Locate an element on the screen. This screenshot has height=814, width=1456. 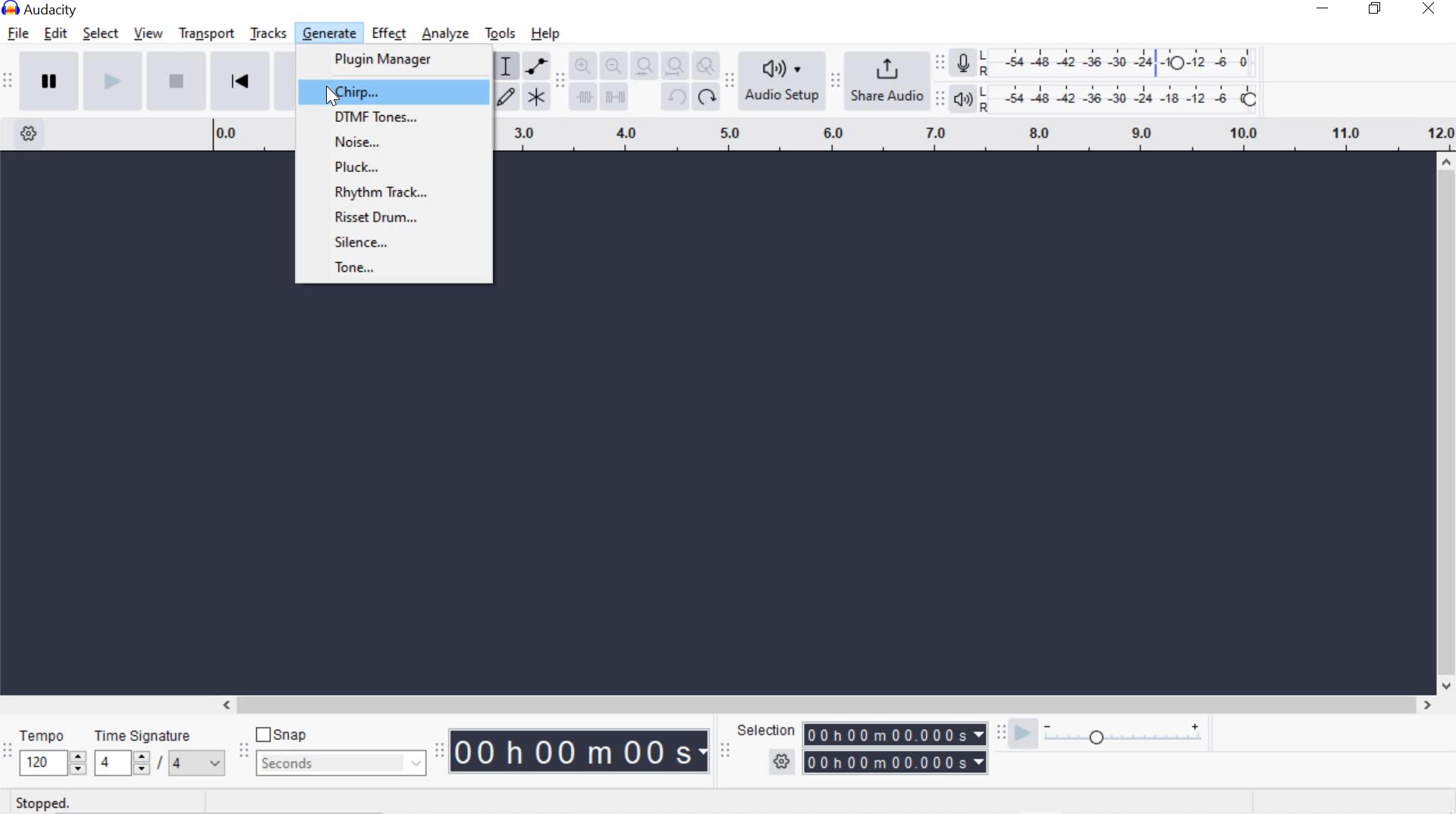
minimize is located at coordinates (1323, 7).